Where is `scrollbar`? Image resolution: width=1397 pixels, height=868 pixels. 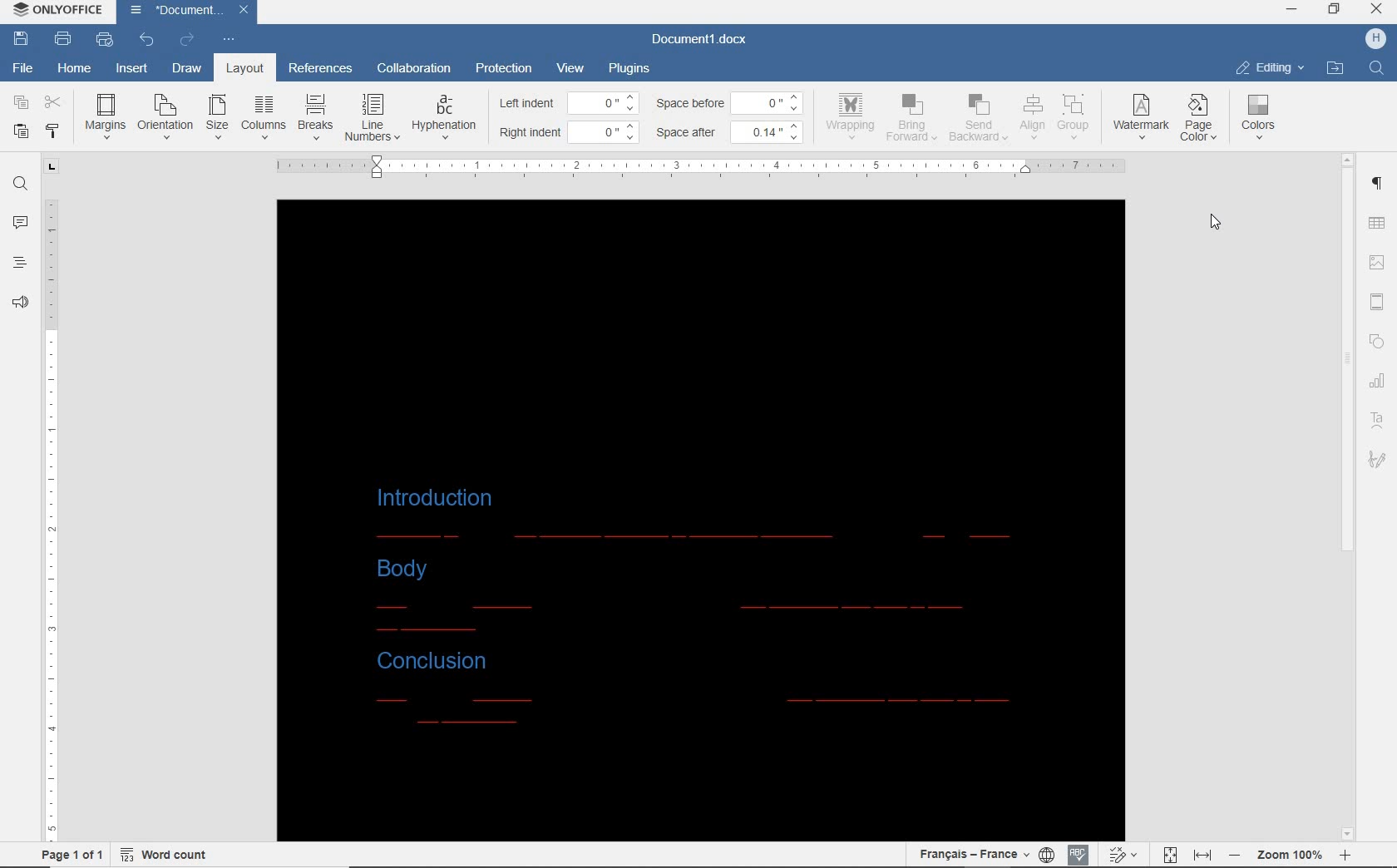
scrollbar is located at coordinates (1346, 496).